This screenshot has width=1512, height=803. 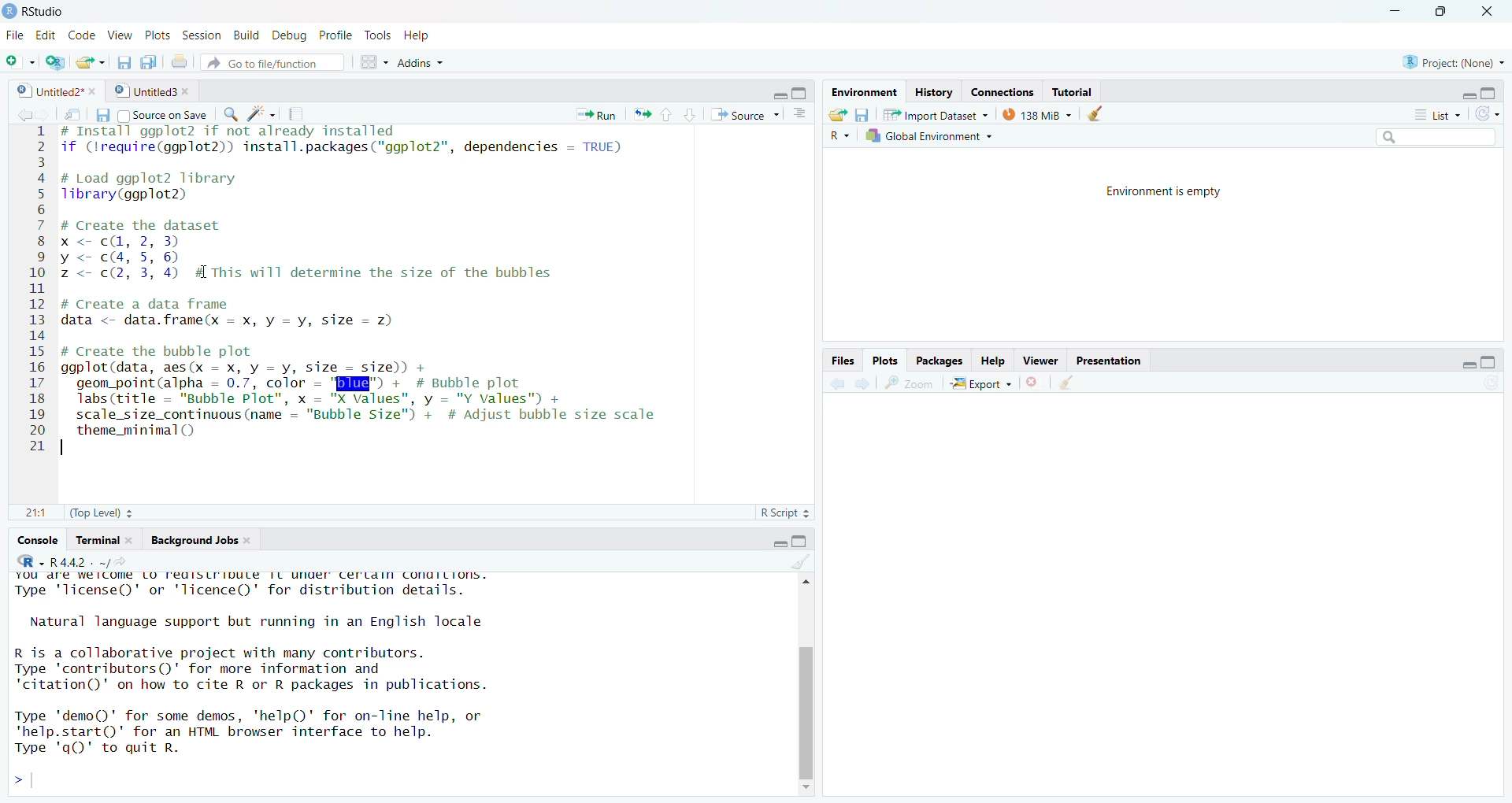 I want to click on save in new window, so click(x=67, y=111).